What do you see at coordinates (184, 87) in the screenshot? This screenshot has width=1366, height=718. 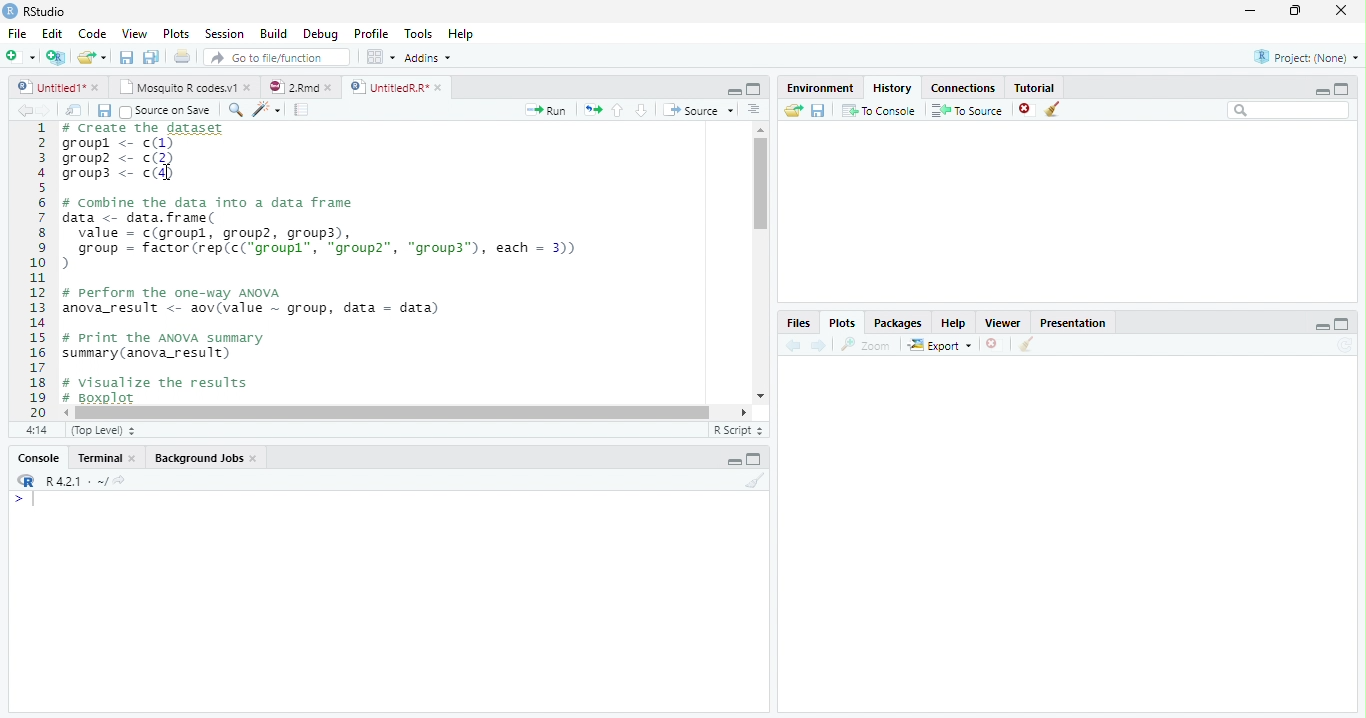 I see `Mosquito R codes` at bounding box center [184, 87].